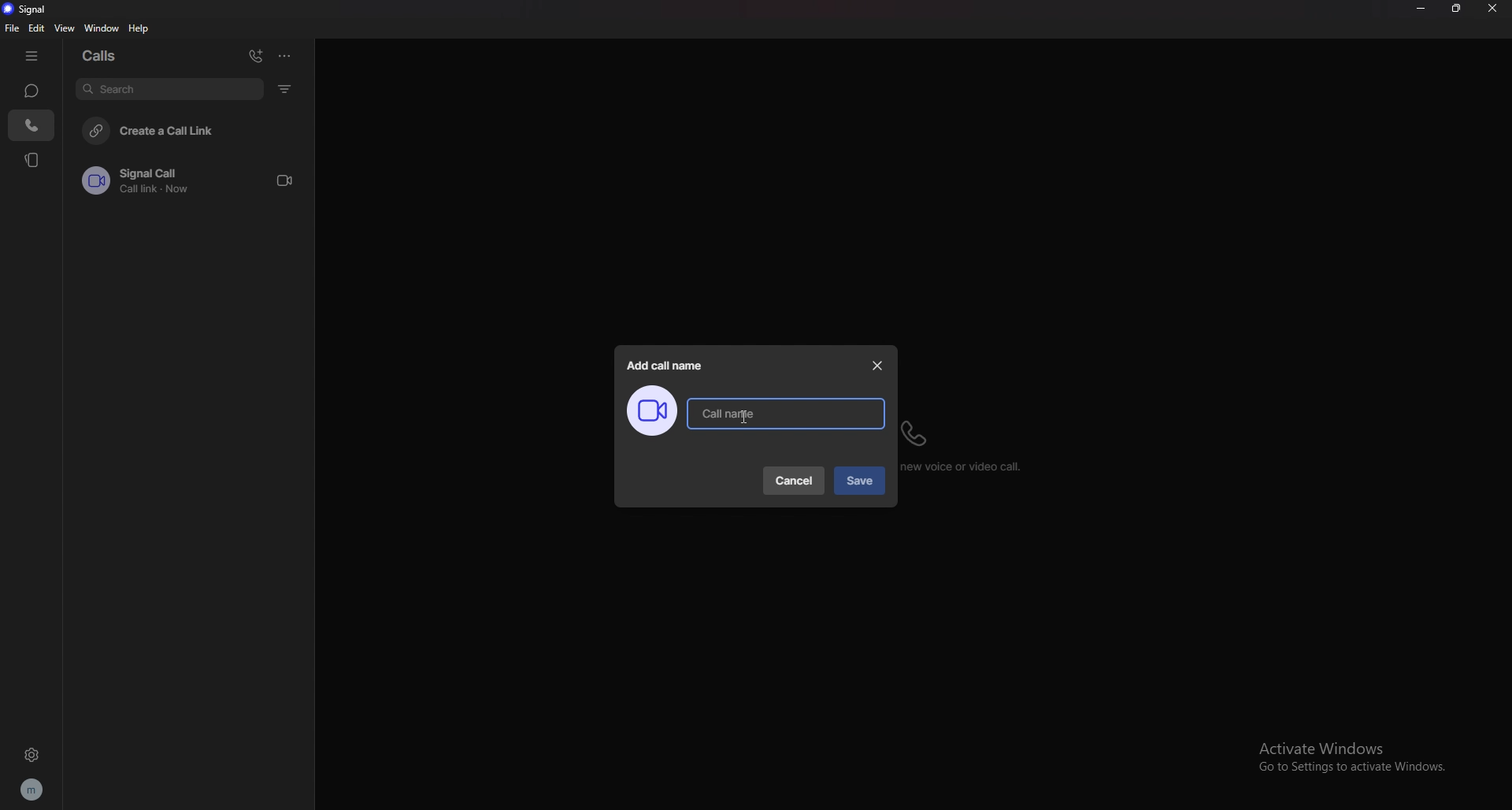 The height and width of the screenshot is (810, 1512). What do you see at coordinates (30, 9) in the screenshot?
I see `signal` at bounding box center [30, 9].